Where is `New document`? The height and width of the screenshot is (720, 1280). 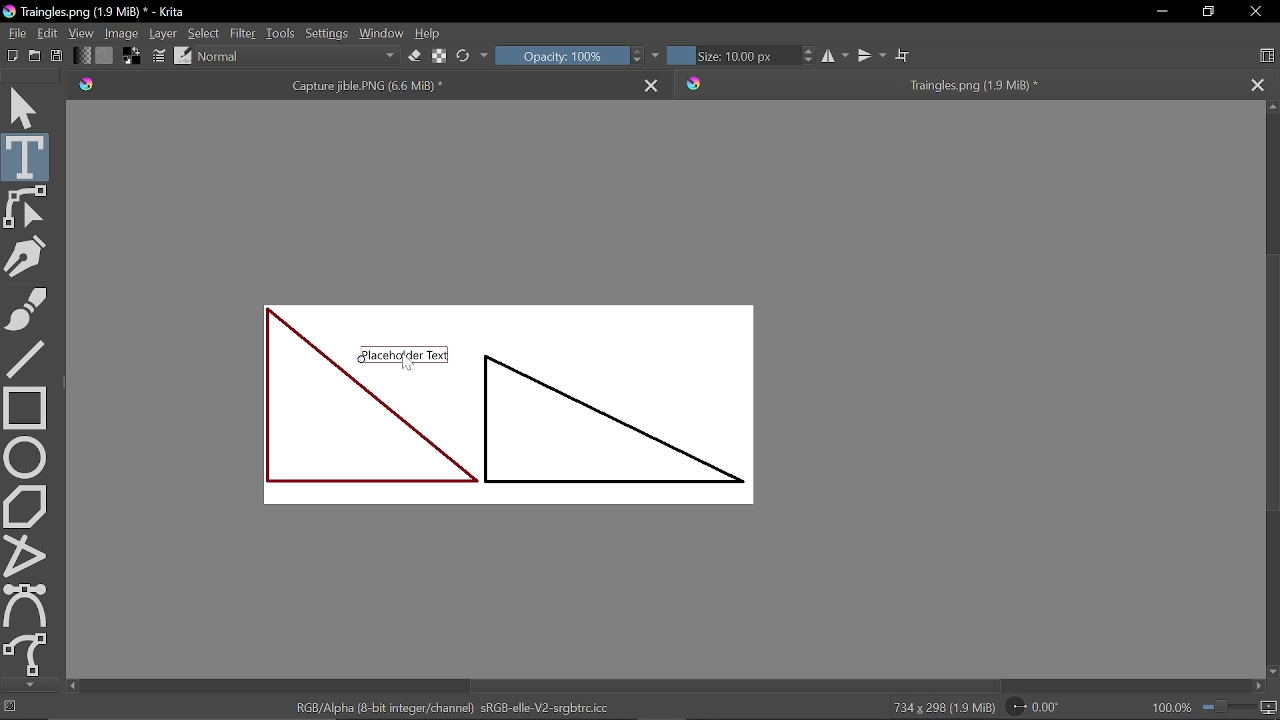 New document is located at coordinates (10, 54).